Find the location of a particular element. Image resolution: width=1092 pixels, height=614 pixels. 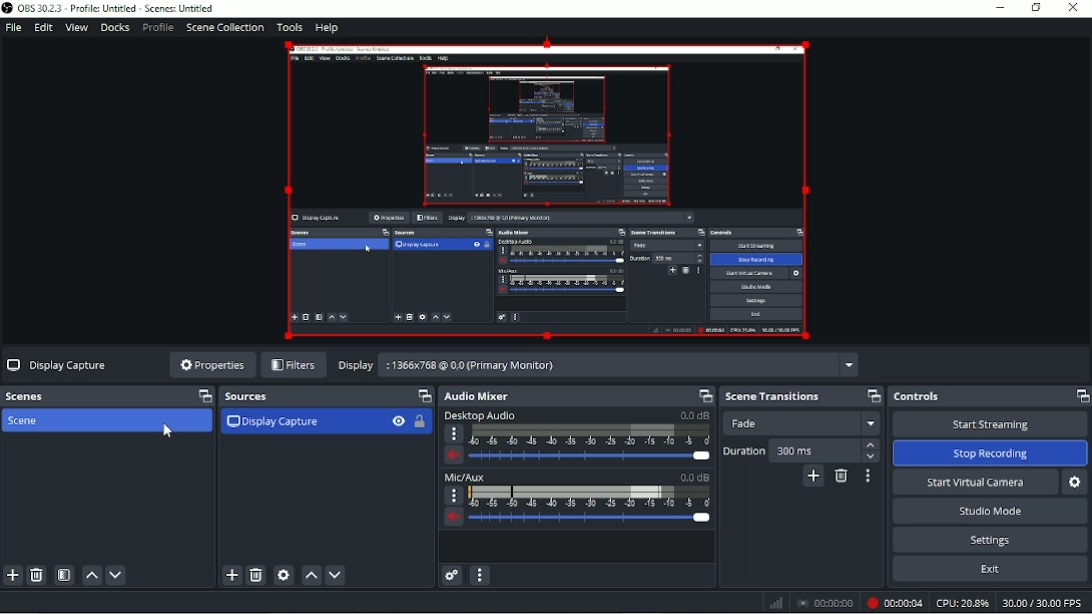

Remove selected source(s) is located at coordinates (256, 576).